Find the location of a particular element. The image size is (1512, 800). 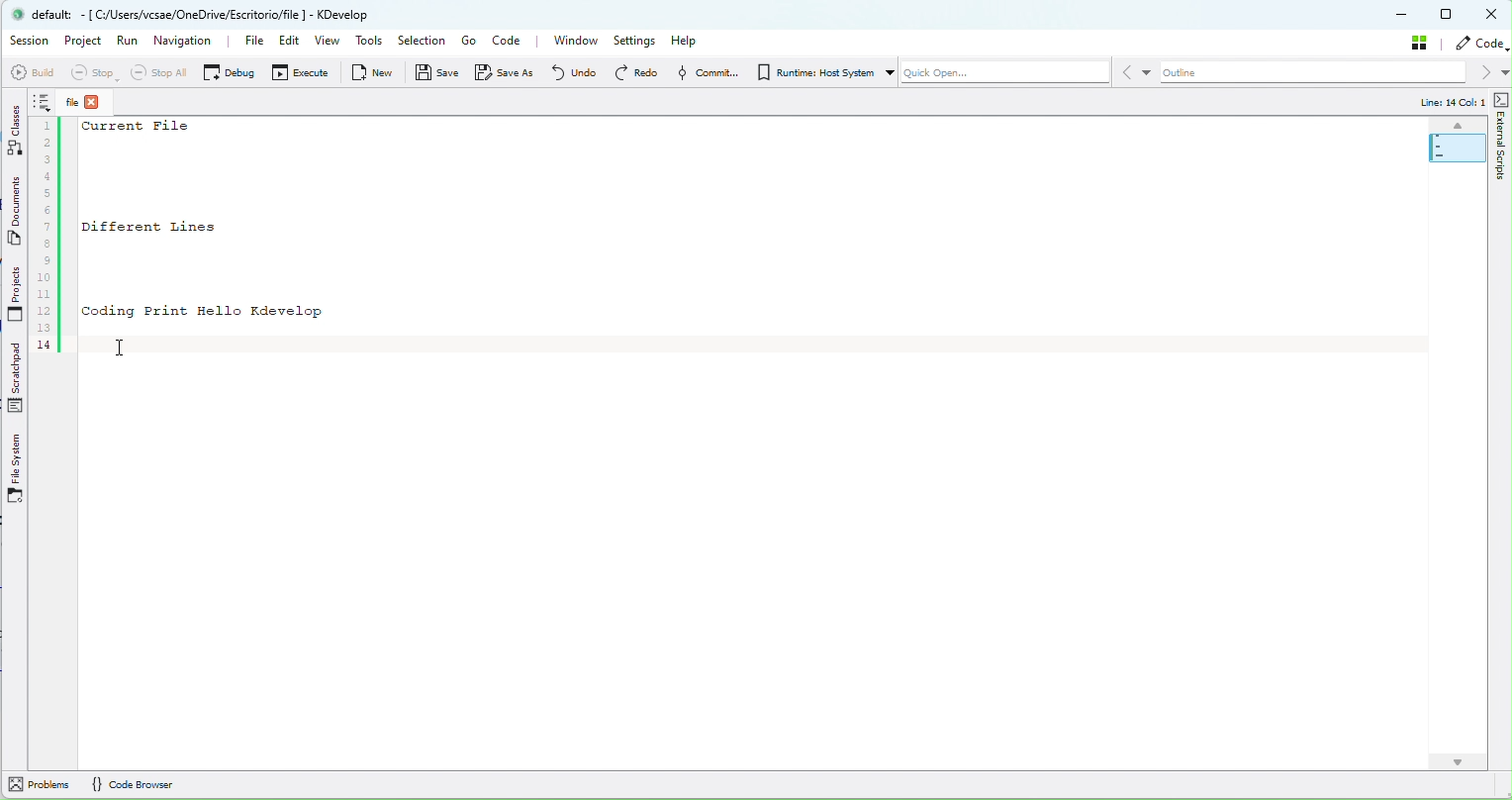

Stop all is located at coordinates (155, 72).